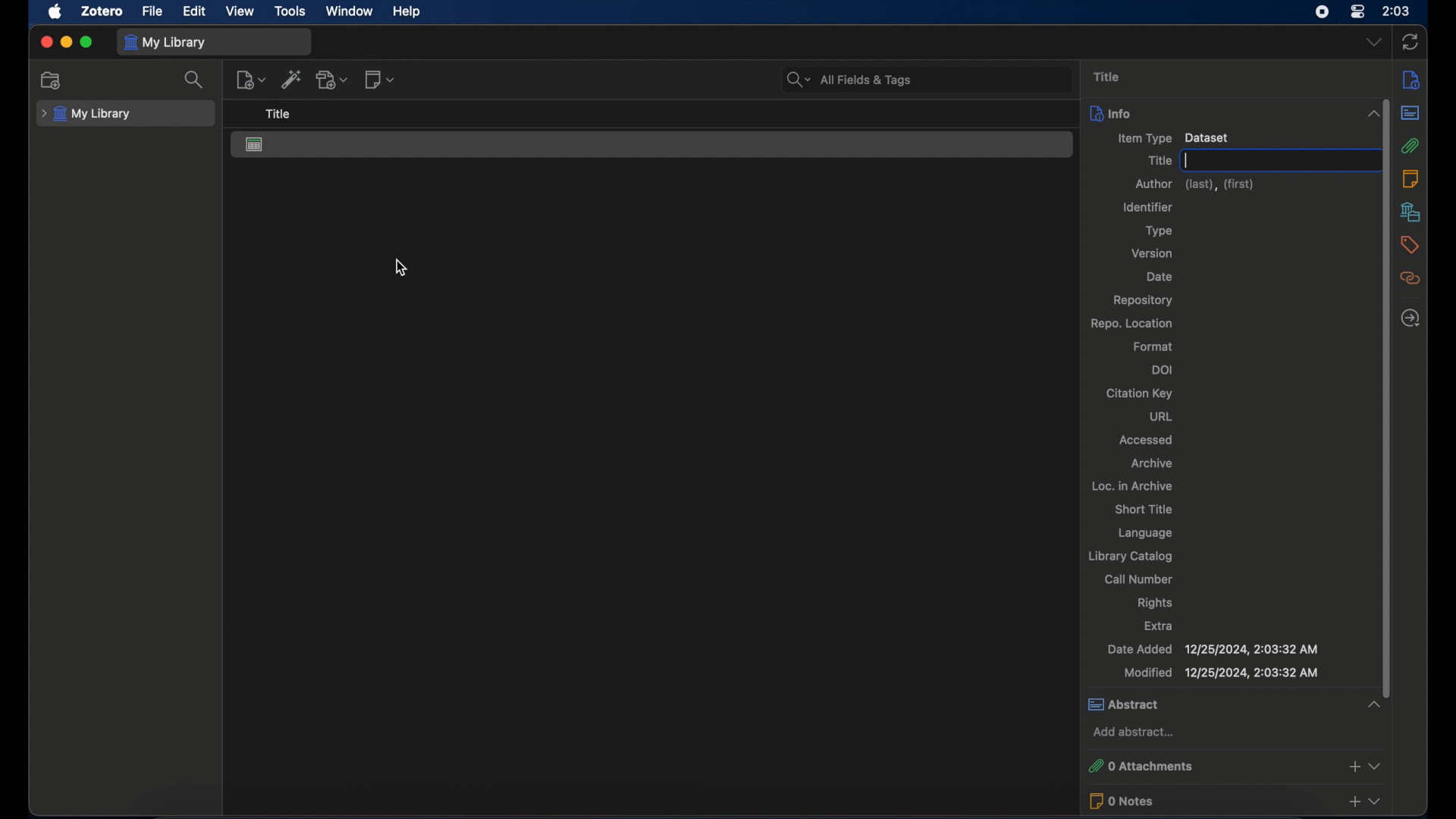 This screenshot has width=1456, height=819. What do you see at coordinates (1147, 534) in the screenshot?
I see `language` at bounding box center [1147, 534].